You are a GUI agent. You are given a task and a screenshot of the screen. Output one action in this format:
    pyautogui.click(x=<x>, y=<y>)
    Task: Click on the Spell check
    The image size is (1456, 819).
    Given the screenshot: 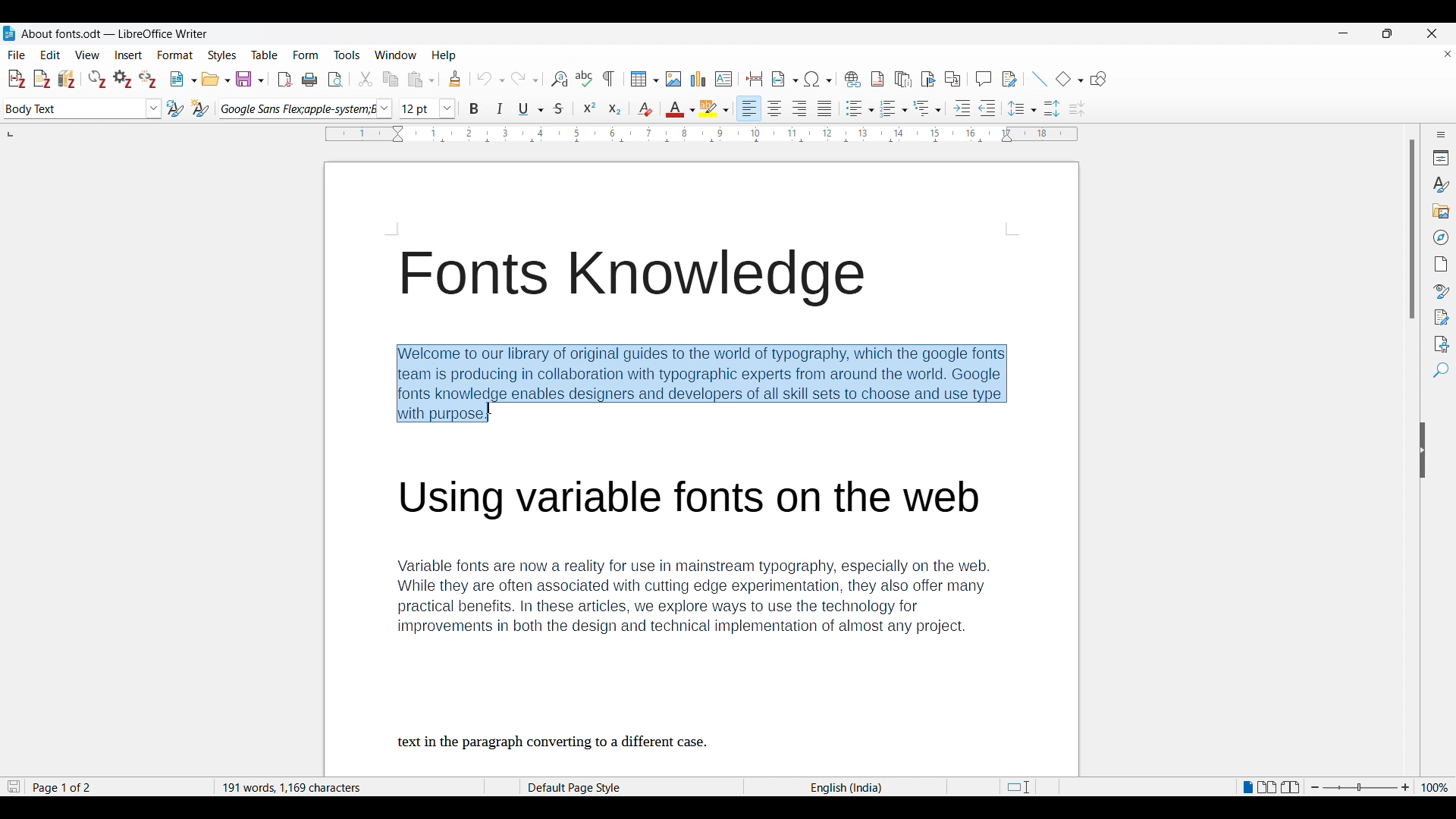 What is the action you would take?
    pyautogui.click(x=584, y=79)
    